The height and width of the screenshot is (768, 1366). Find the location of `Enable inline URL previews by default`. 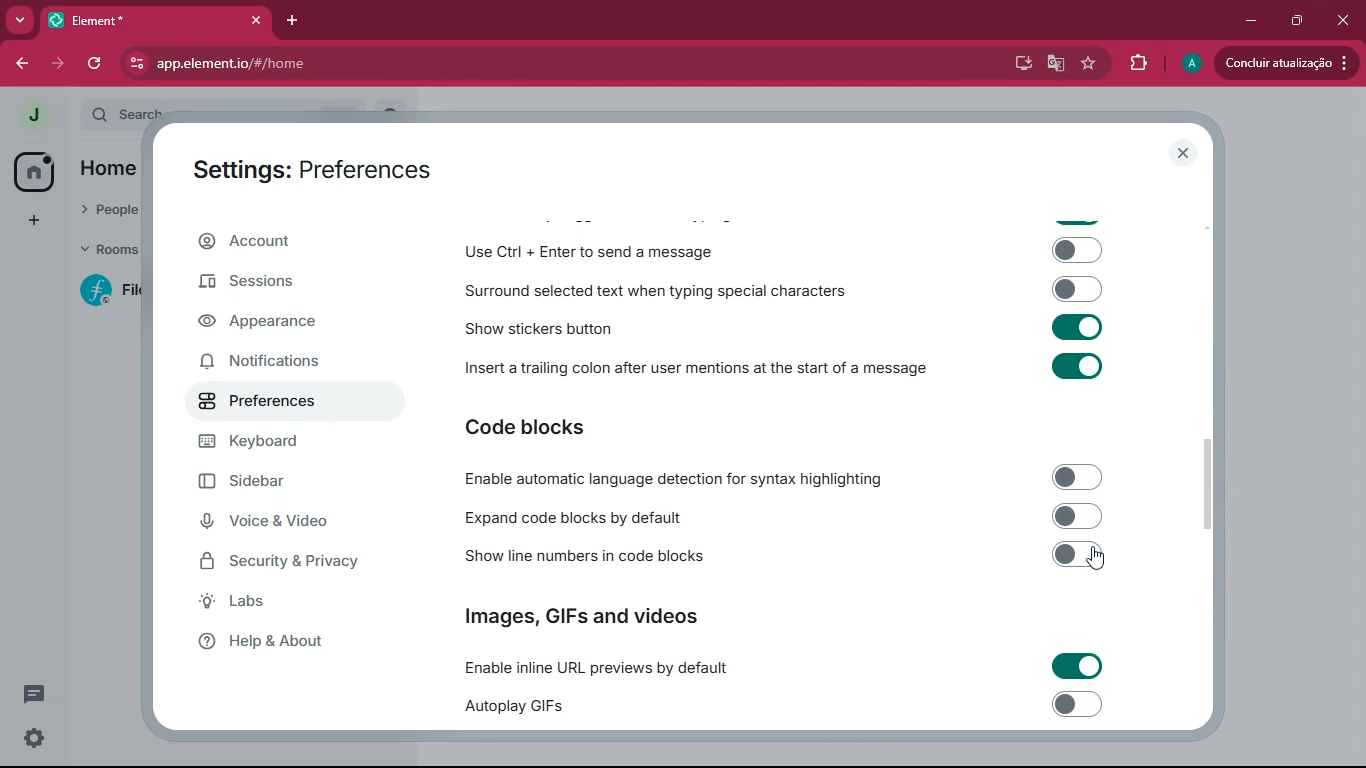

Enable inline URL previews by default is located at coordinates (781, 667).